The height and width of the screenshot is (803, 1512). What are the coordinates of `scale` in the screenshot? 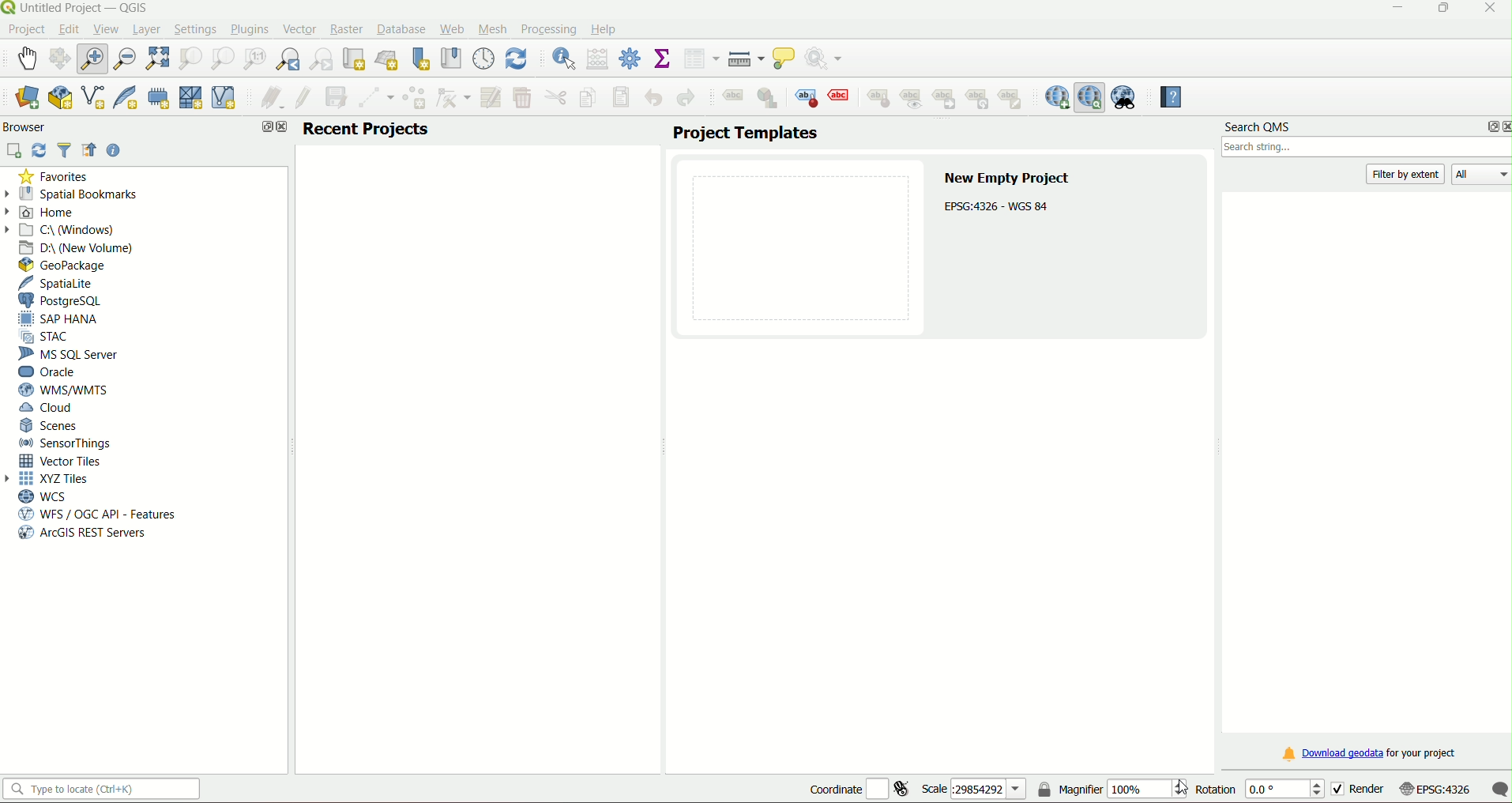 It's located at (972, 790).